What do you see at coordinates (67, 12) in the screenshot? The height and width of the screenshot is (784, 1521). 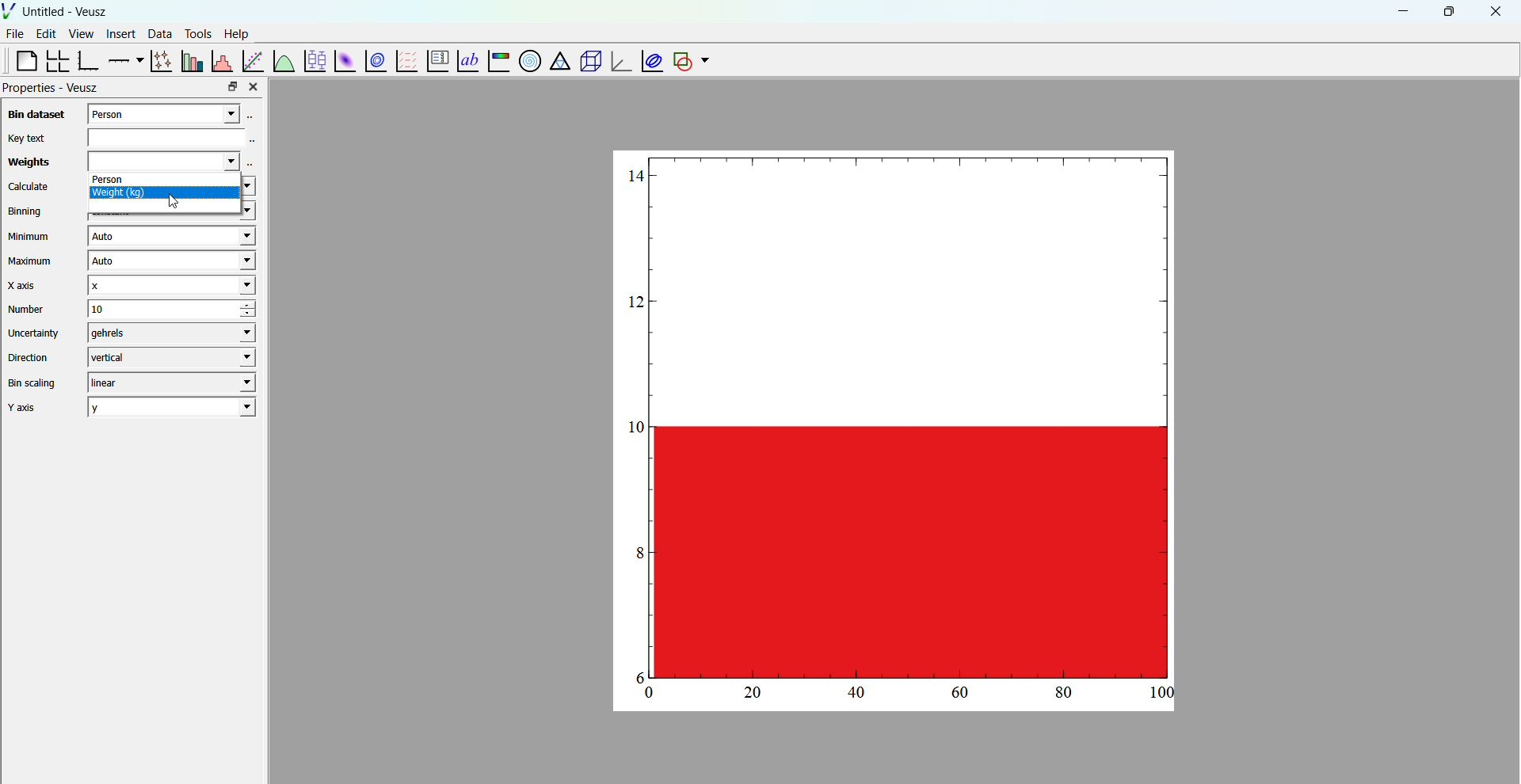 I see `Untitled - Veusz` at bounding box center [67, 12].